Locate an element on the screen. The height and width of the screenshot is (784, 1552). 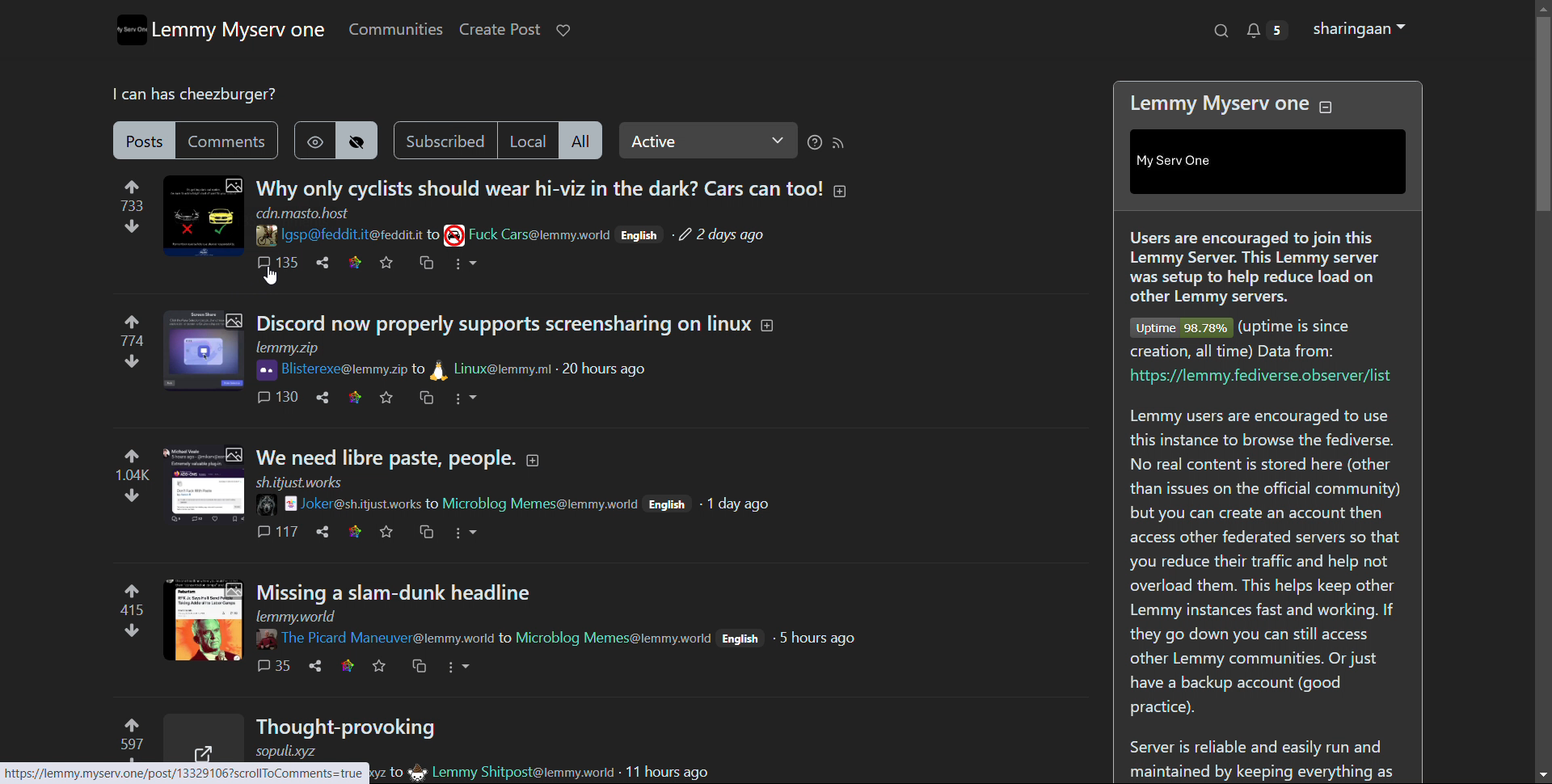
Lemmy Myserv one is located at coordinates (1220, 105).